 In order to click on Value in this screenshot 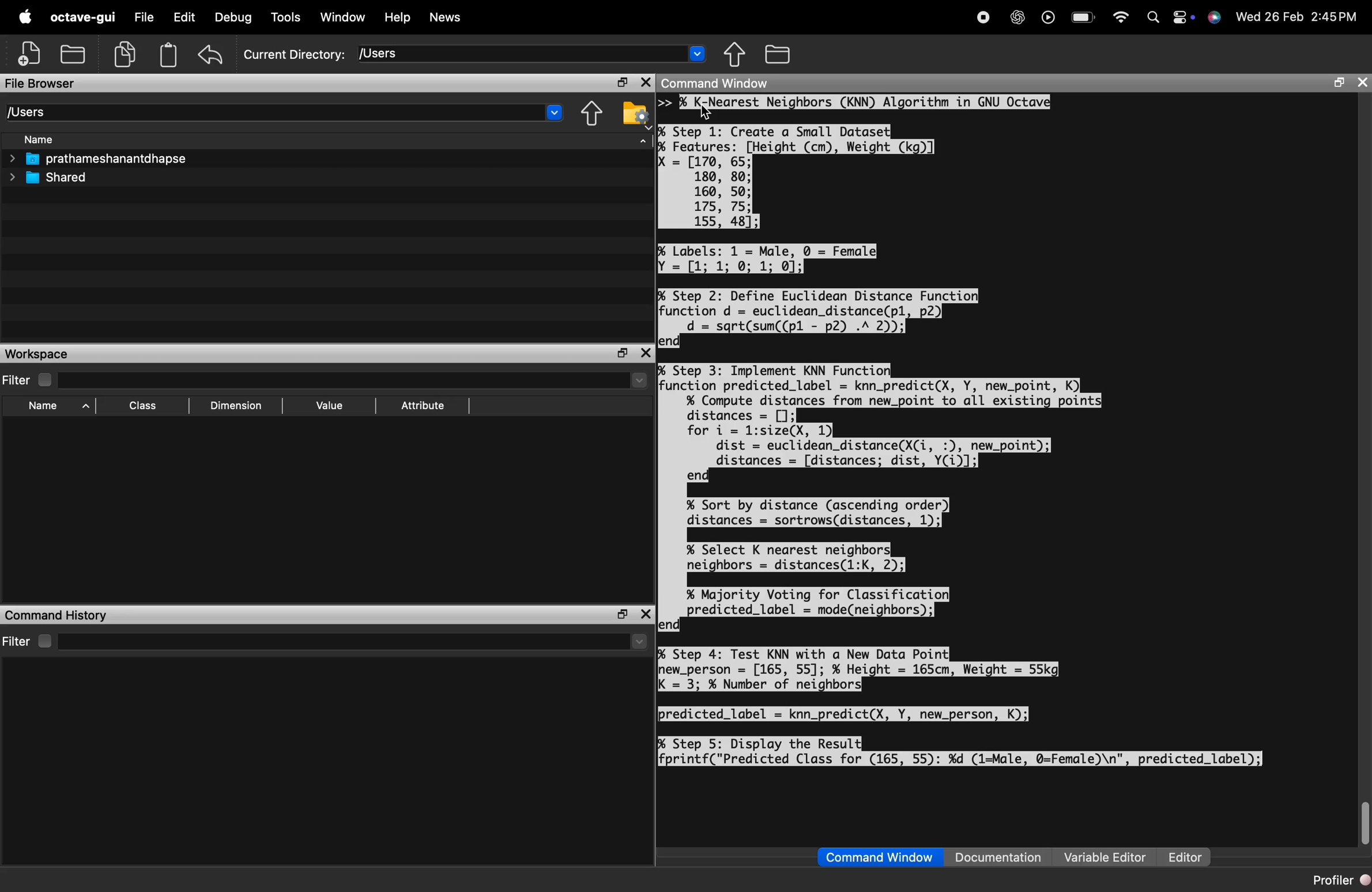, I will do `click(332, 404)`.